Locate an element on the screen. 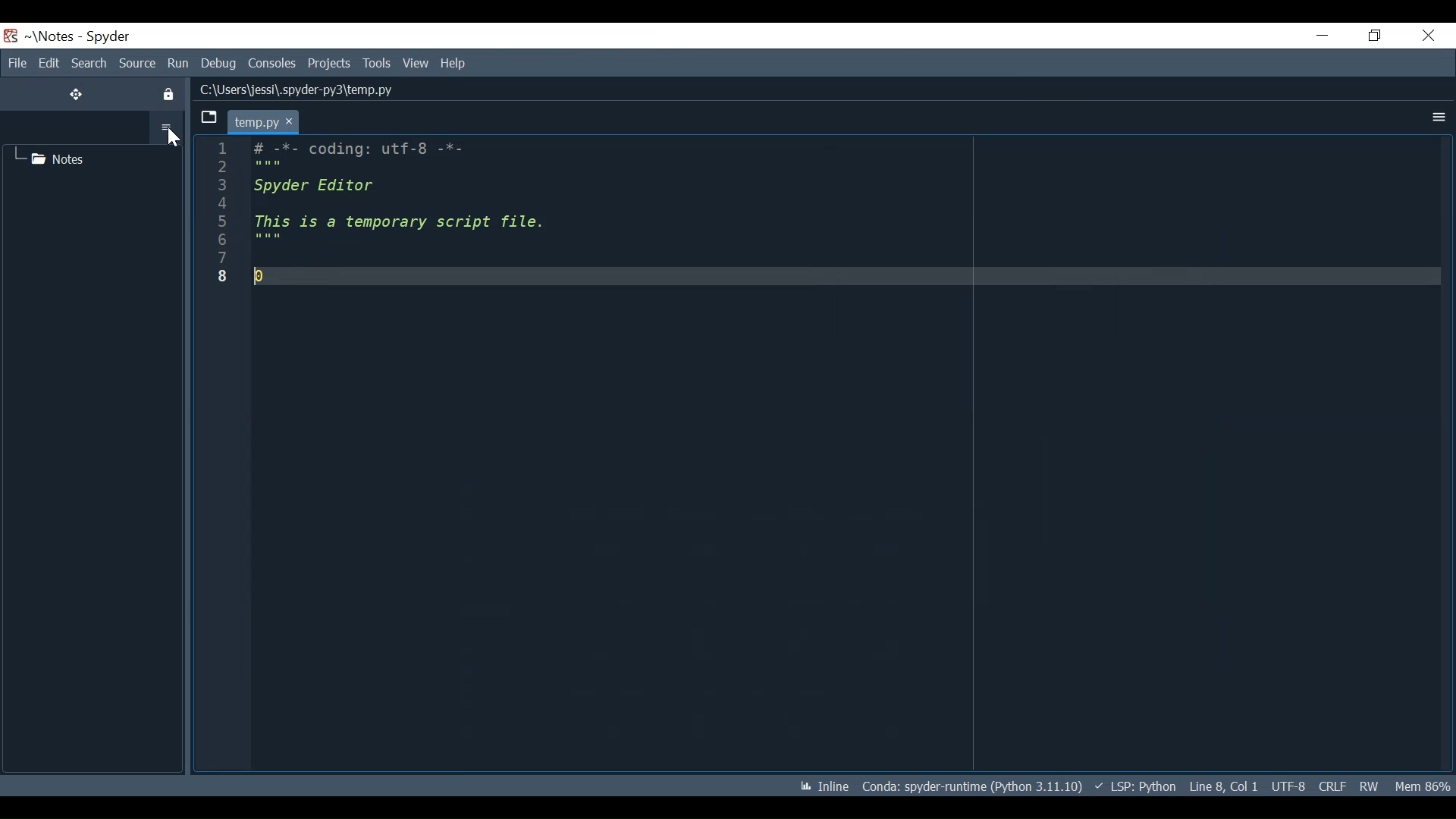 This screenshot has width=1456, height=819. notes is located at coordinates (57, 158).